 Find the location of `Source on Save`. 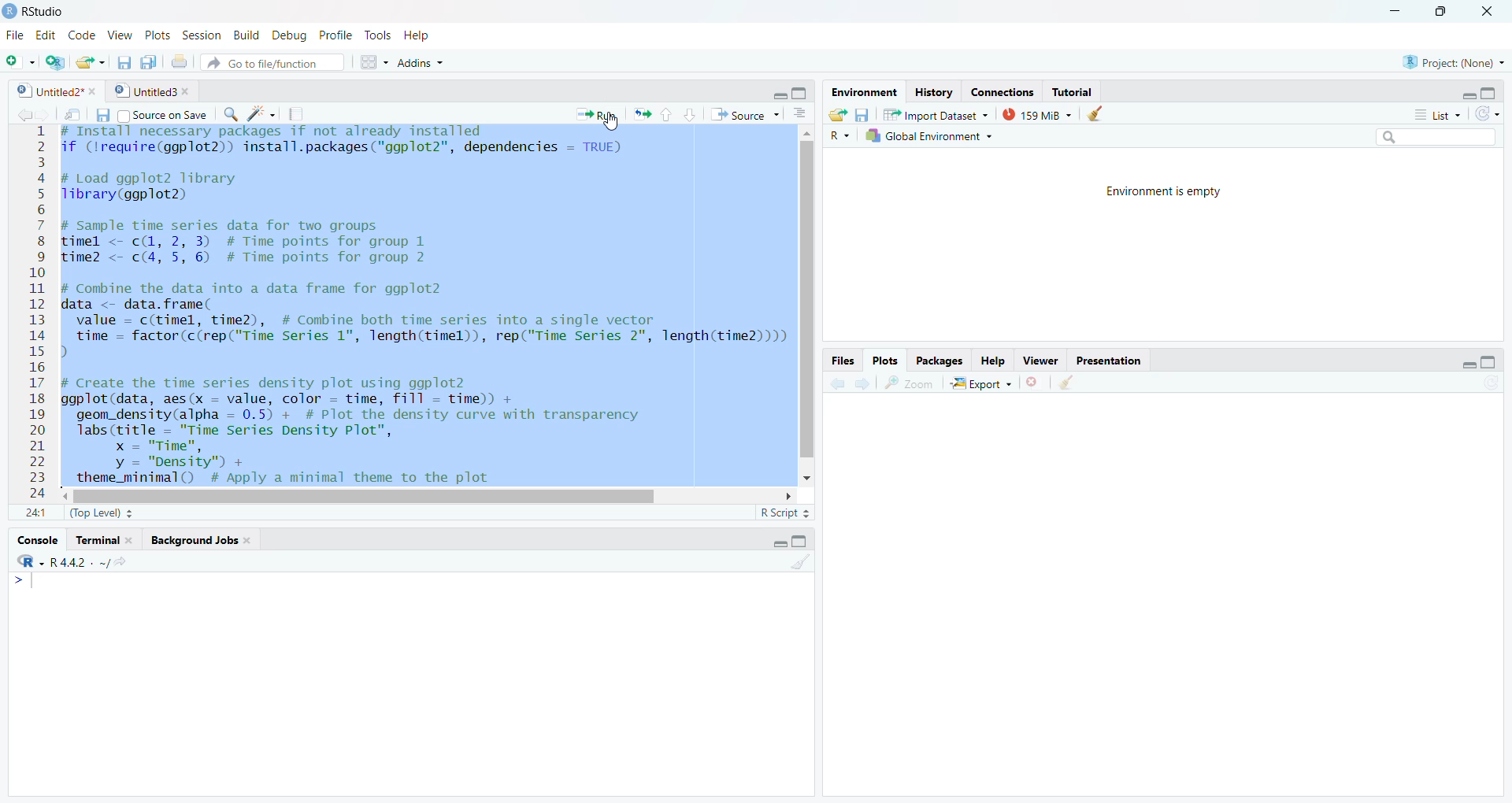

Source on Save is located at coordinates (161, 116).